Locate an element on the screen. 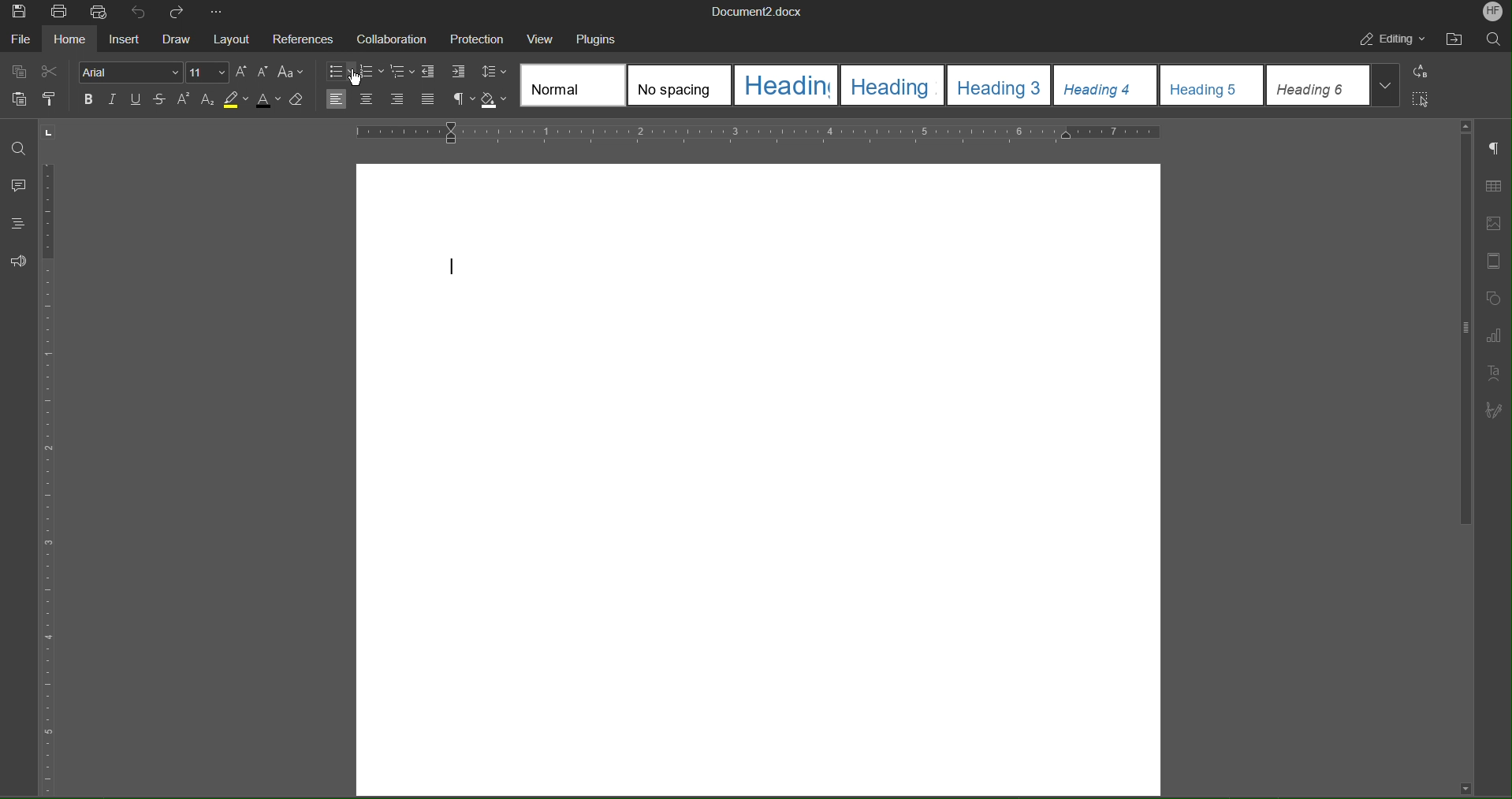  File is located at coordinates (22, 41).